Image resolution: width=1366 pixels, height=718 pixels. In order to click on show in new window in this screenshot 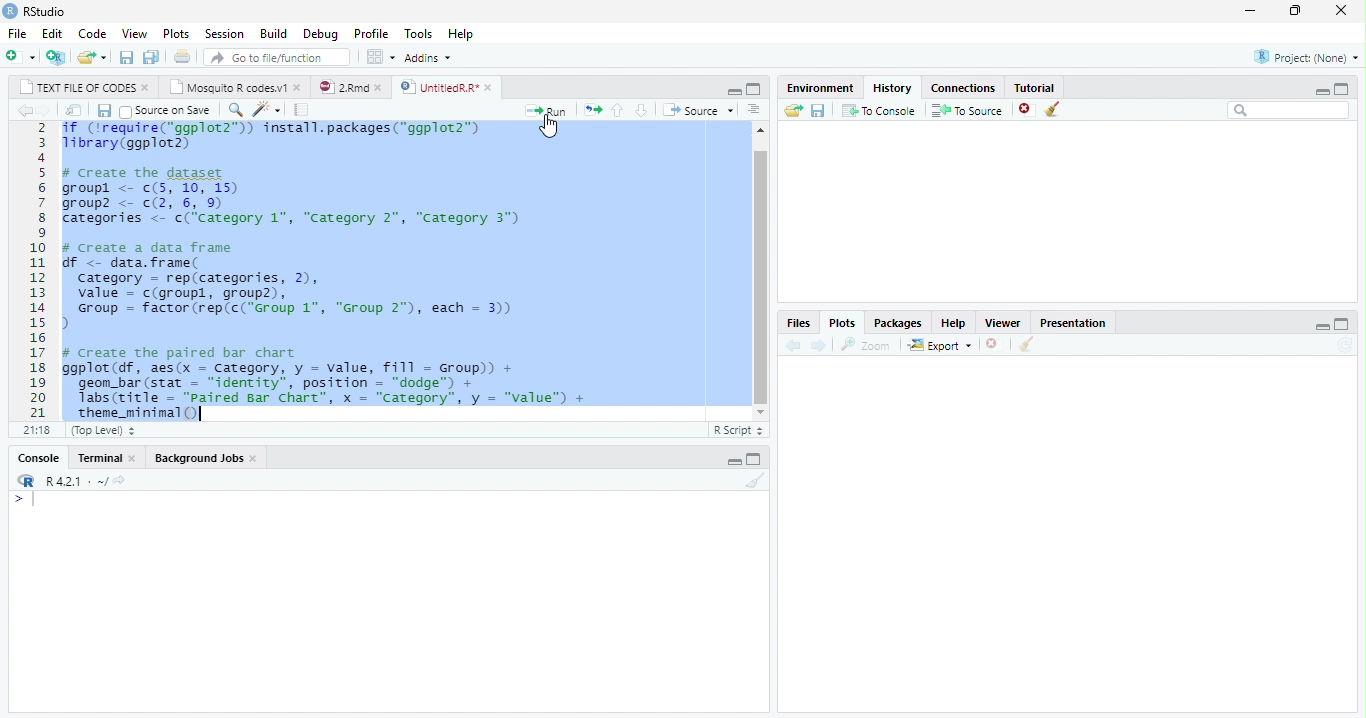, I will do `click(73, 110)`.